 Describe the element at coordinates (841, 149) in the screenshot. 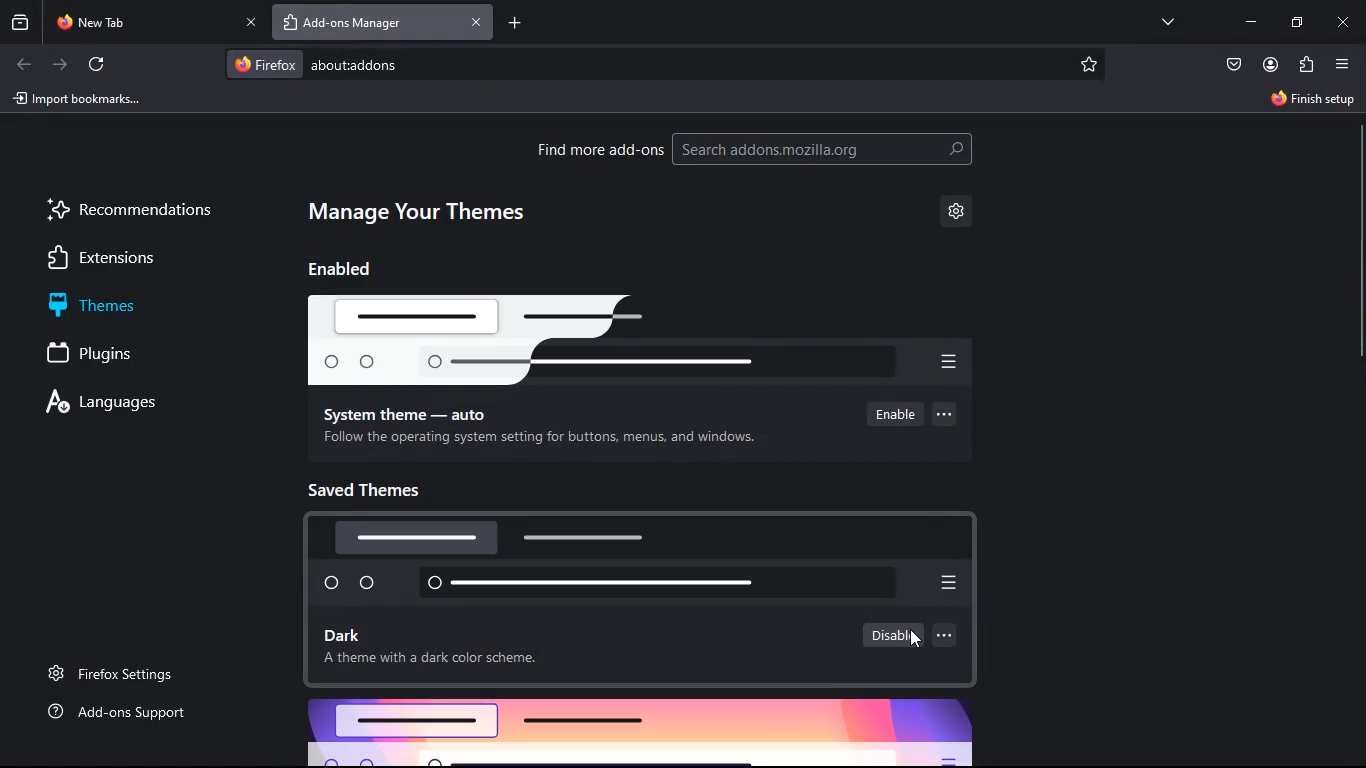

I see `search` at that location.